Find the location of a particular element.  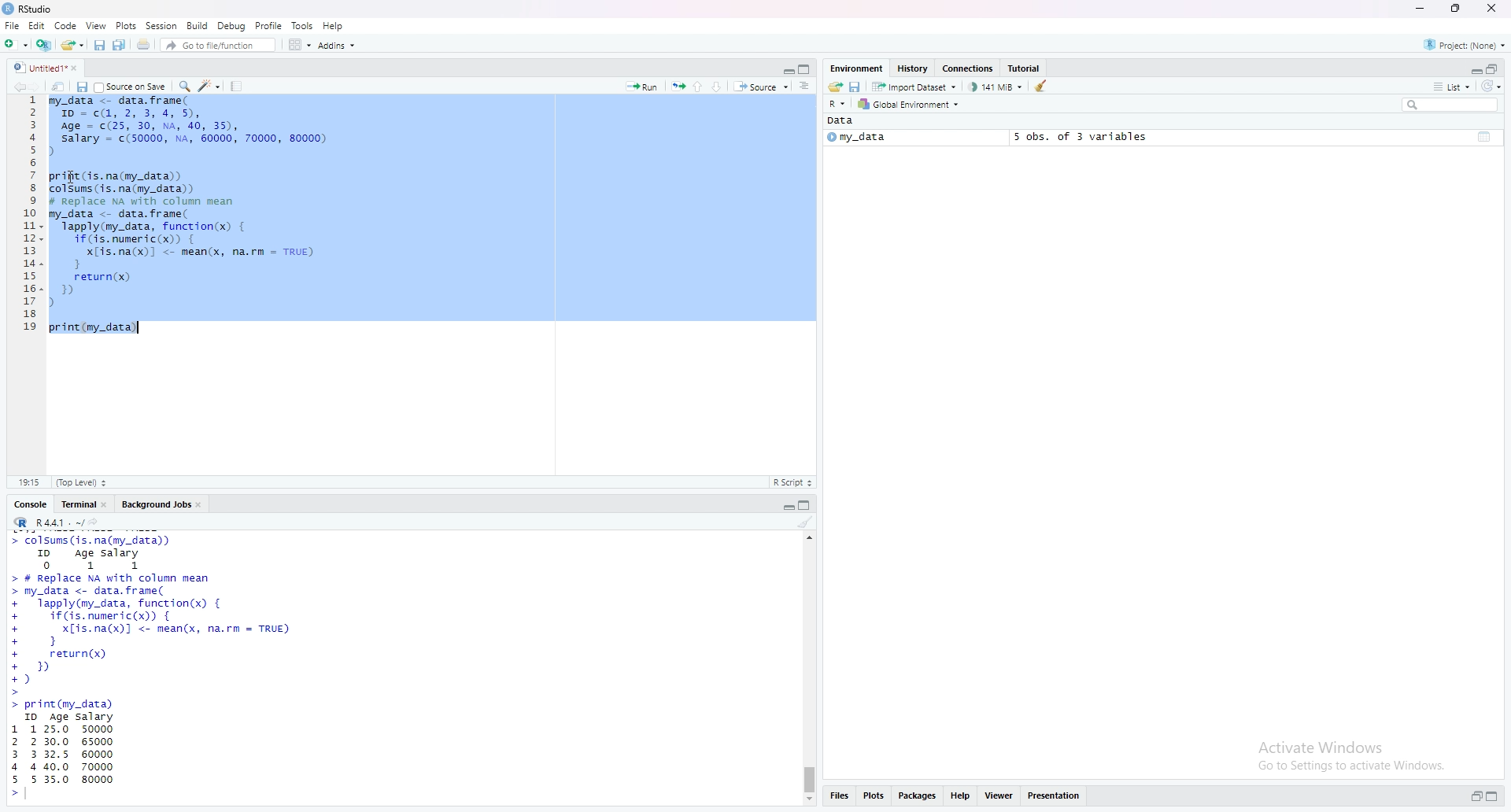

cursor is located at coordinates (72, 178).